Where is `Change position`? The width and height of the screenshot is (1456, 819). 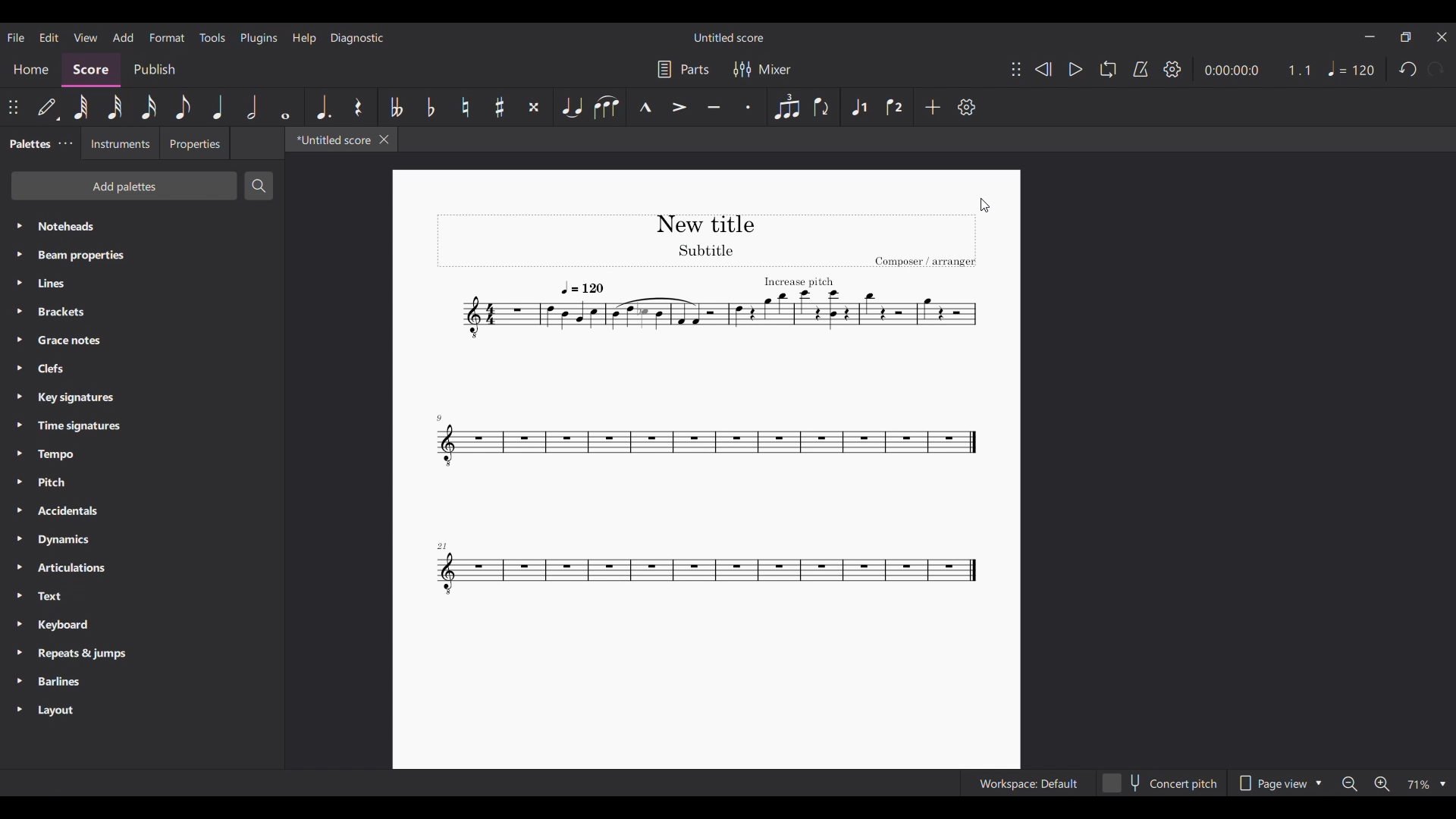 Change position is located at coordinates (13, 107).